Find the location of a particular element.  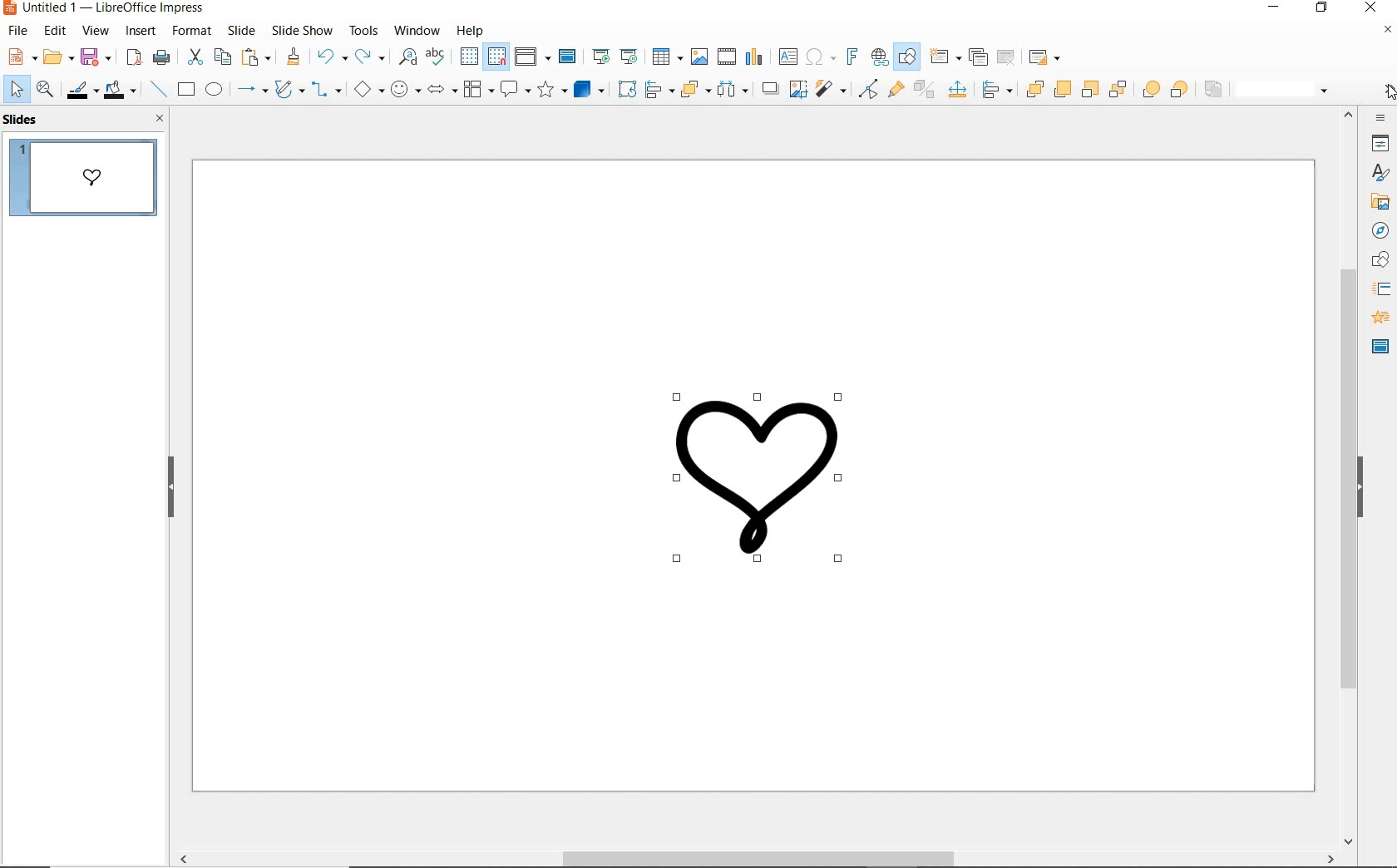

display views is located at coordinates (532, 57).